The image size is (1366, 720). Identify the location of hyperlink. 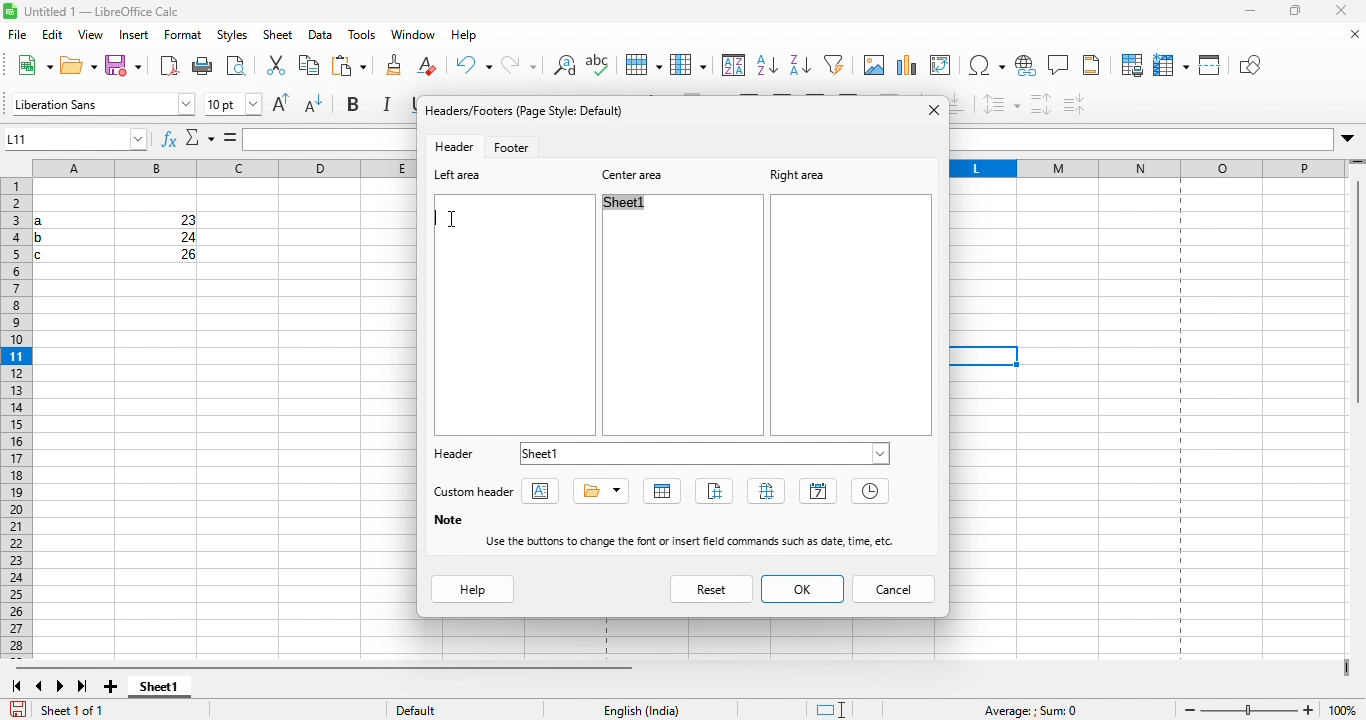
(1025, 69).